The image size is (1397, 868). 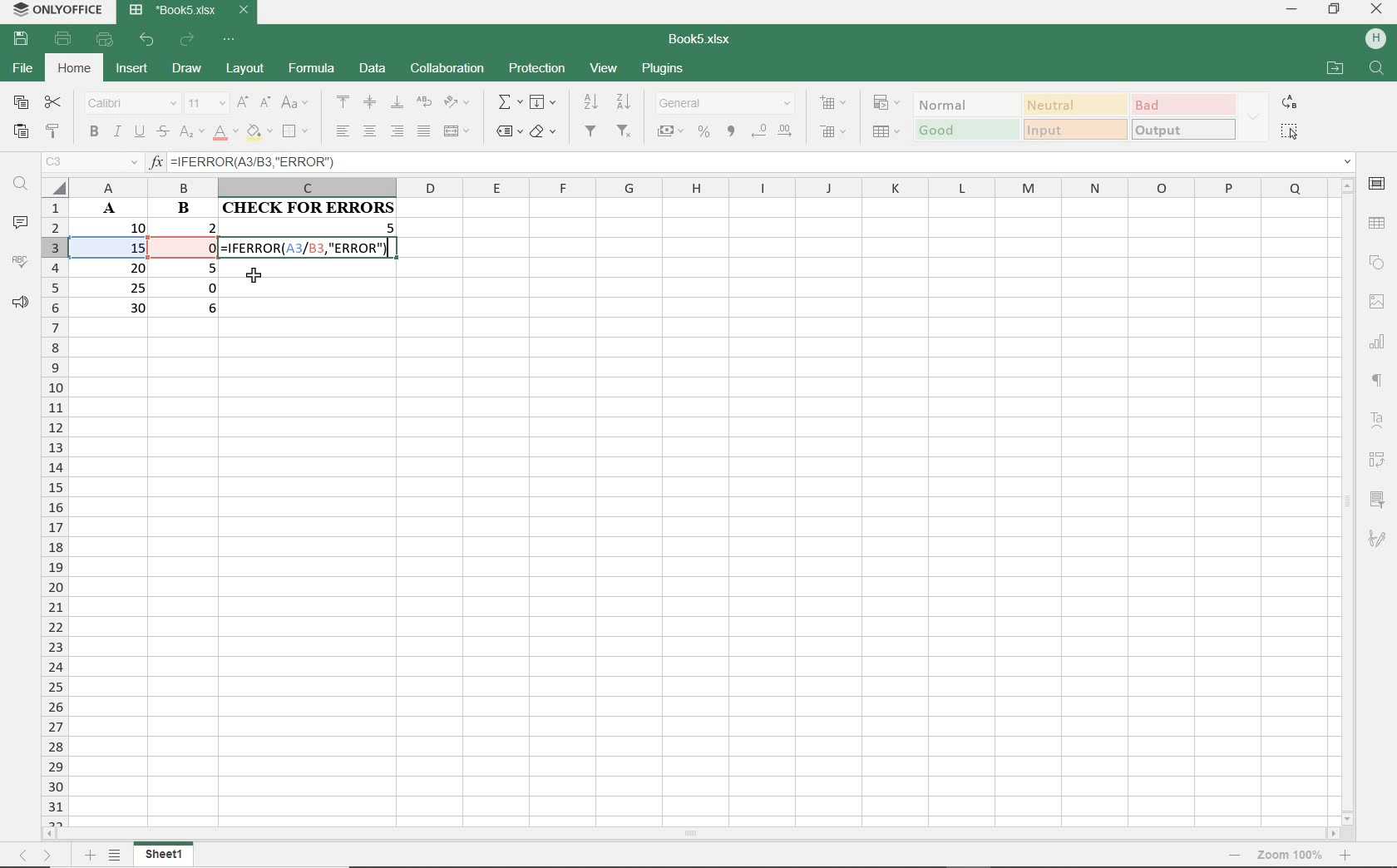 What do you see at coordinates (1347, 856) in the screenshot?
I see `` at bounding box center [1347, 856].